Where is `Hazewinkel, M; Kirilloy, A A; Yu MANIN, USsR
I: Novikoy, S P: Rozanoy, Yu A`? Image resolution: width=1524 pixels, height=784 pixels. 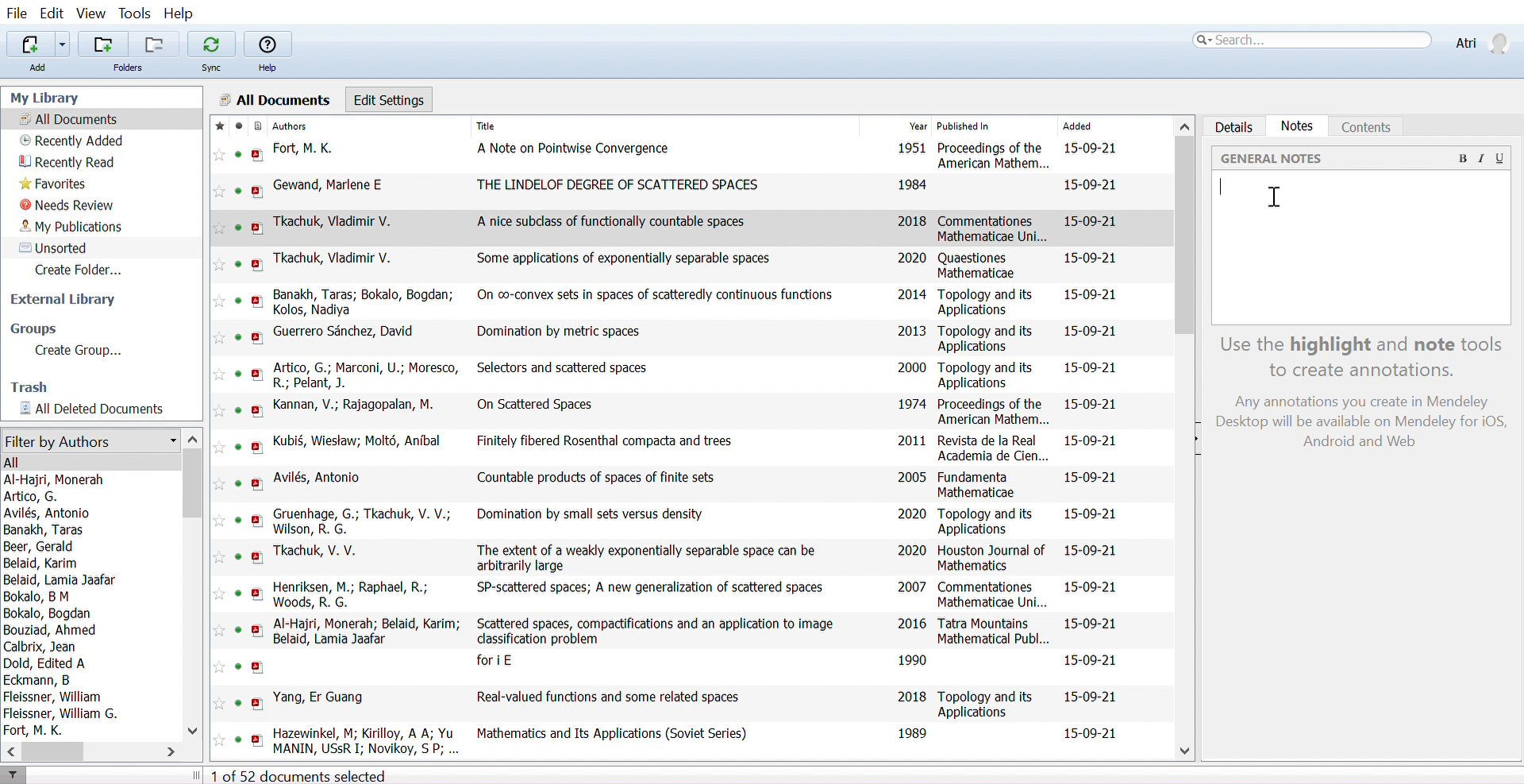 Hazewinkel, M; Kirilloy, A A; Yu MANIN, USsR
I: Novikoy, S P: Rozanoy, Yu A is located at coordinates (367, 739).